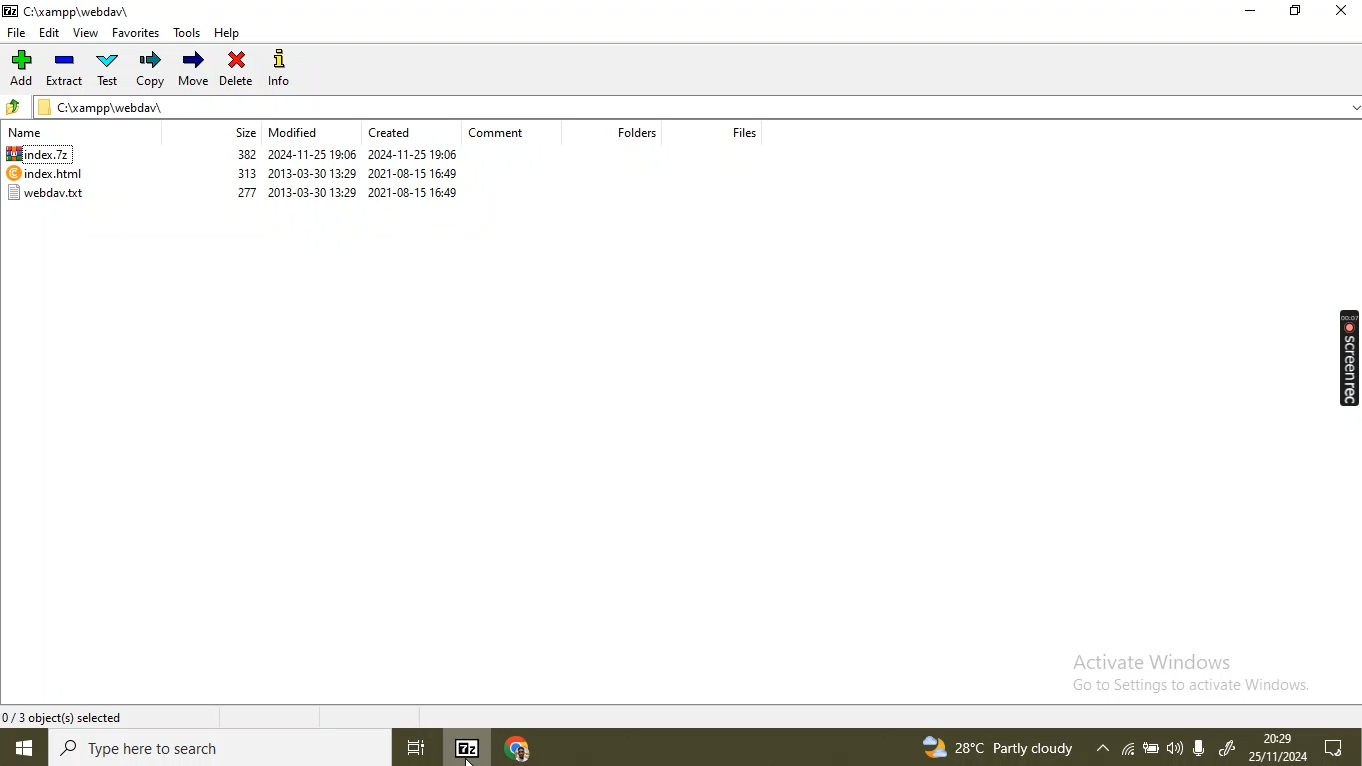  I want to click on 277, so click(248, 192).